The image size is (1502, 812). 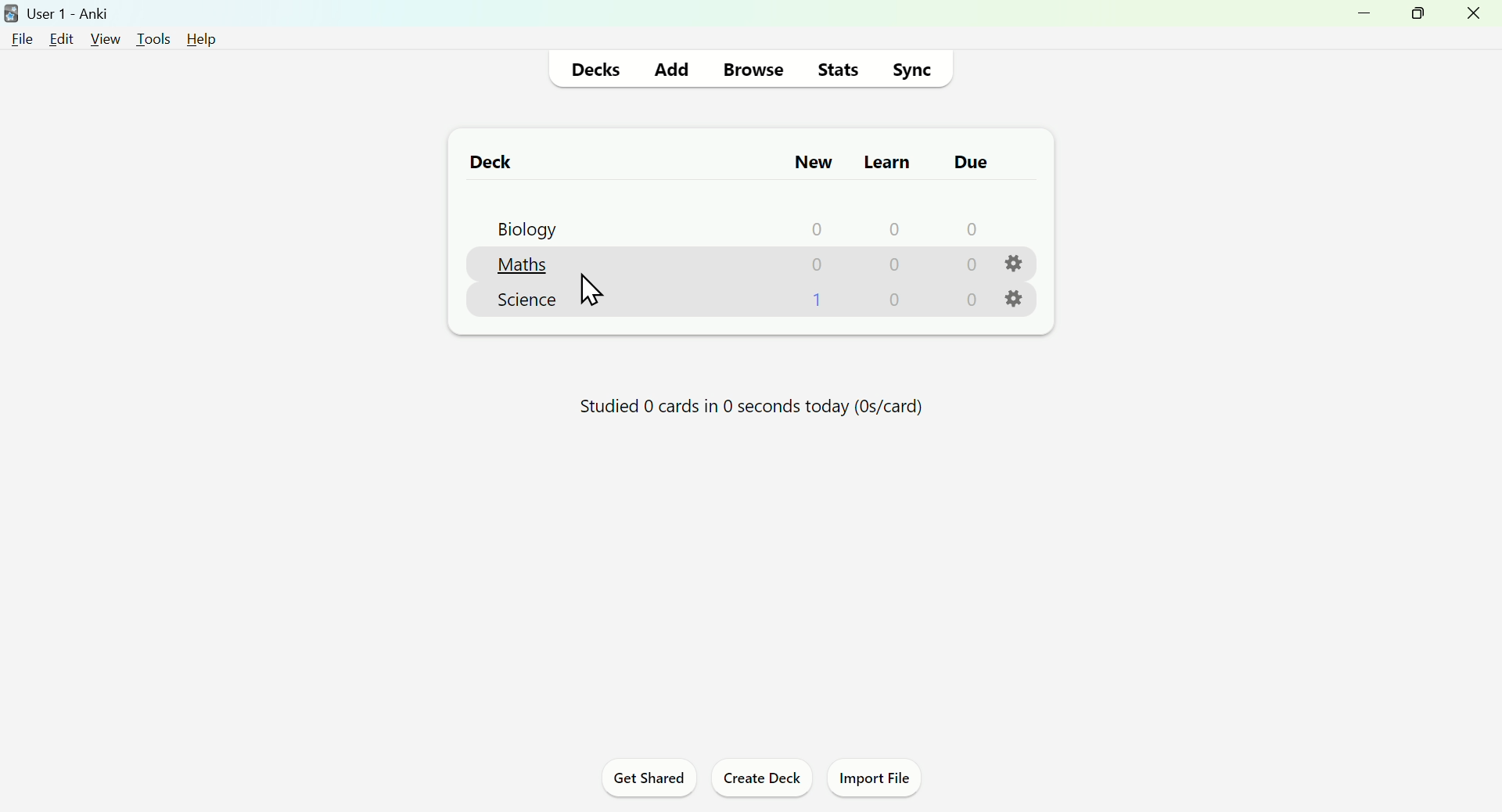 What do you see at coordinates (742, 411) in the screenshot?
I see `Progress` at bounding box center [742, 411].